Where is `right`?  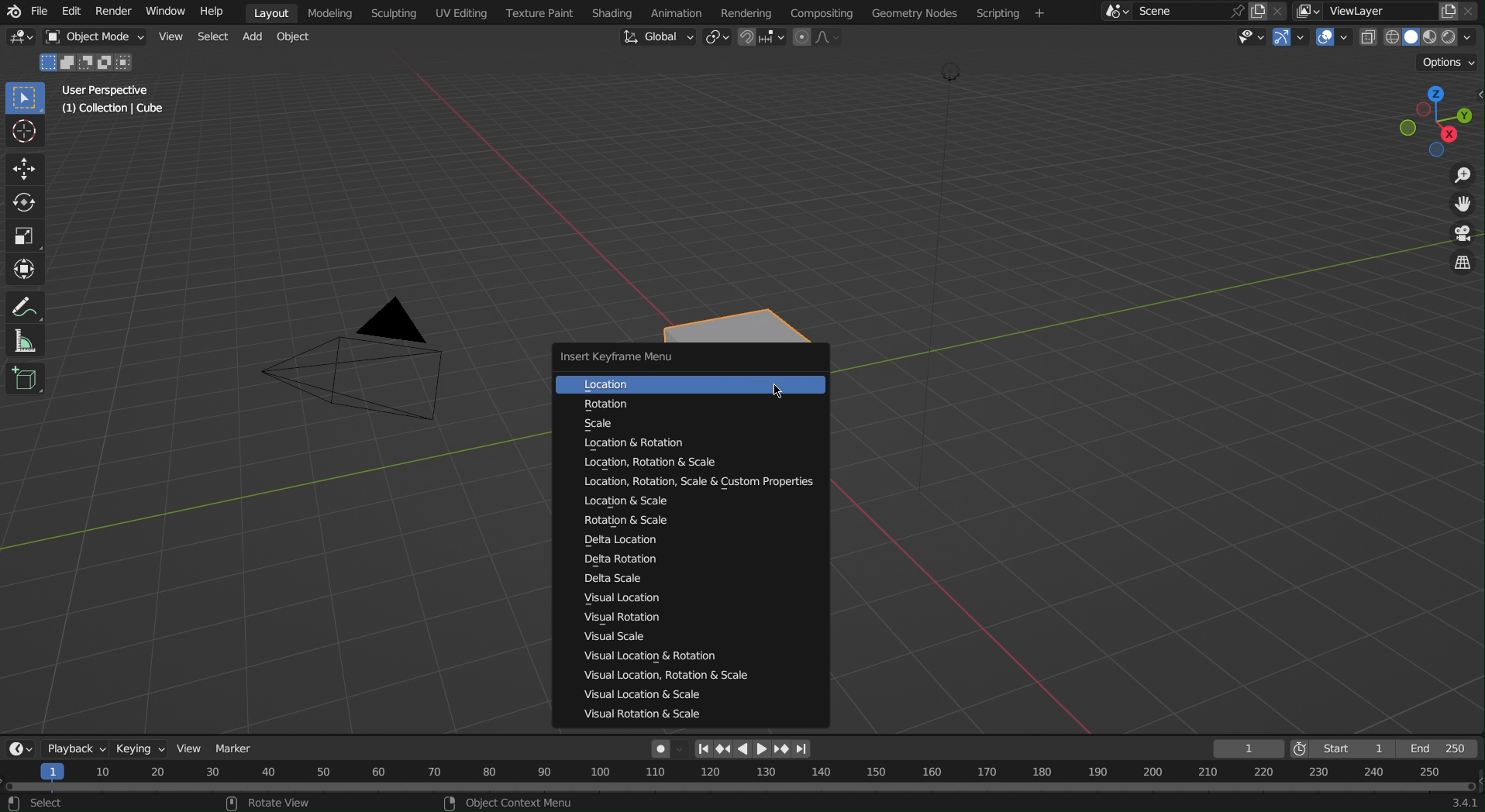 right is located at coordinates (763, 749).